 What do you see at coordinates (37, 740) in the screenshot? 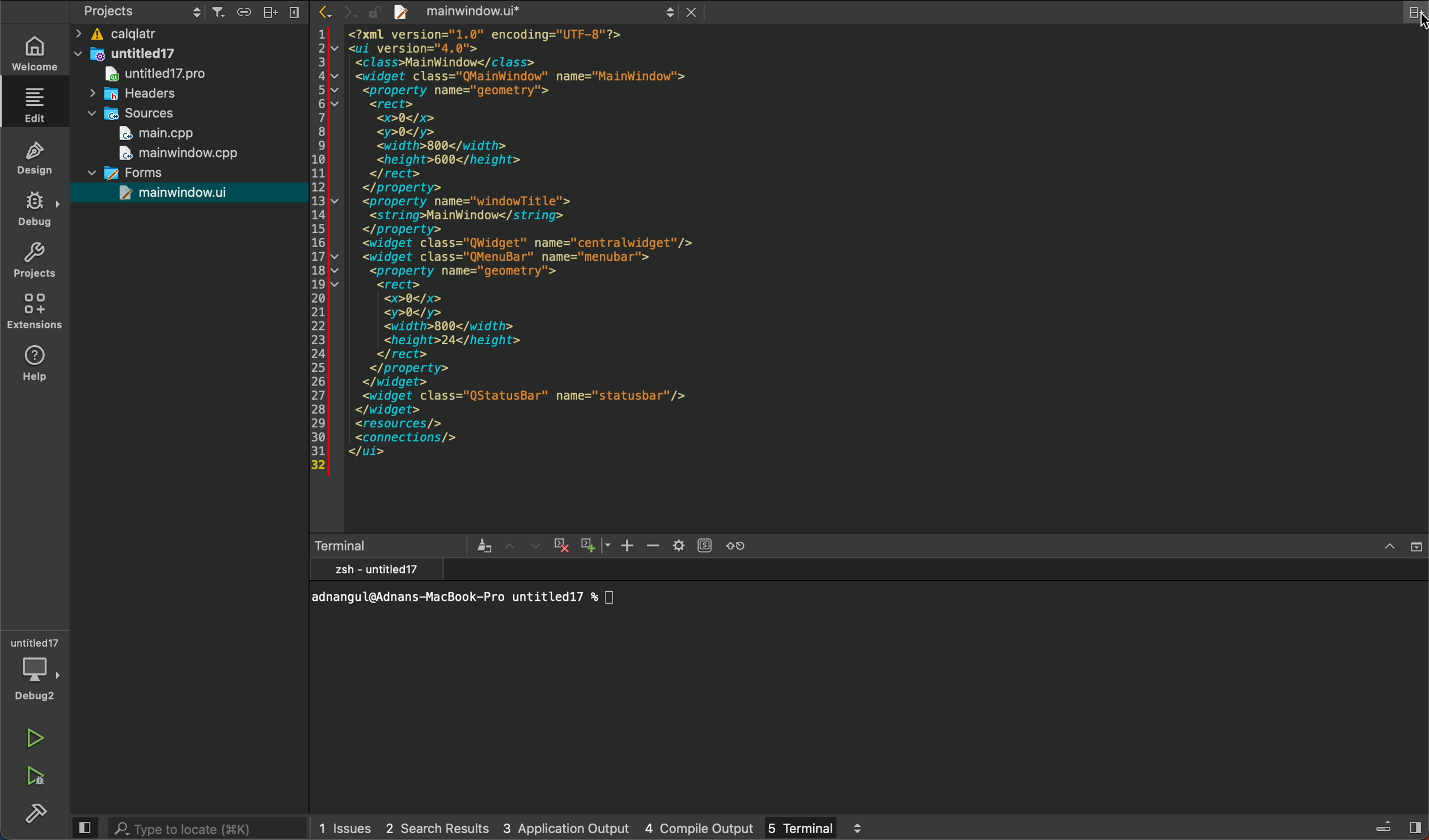
I see `run ` at bounding box center [37, 740].